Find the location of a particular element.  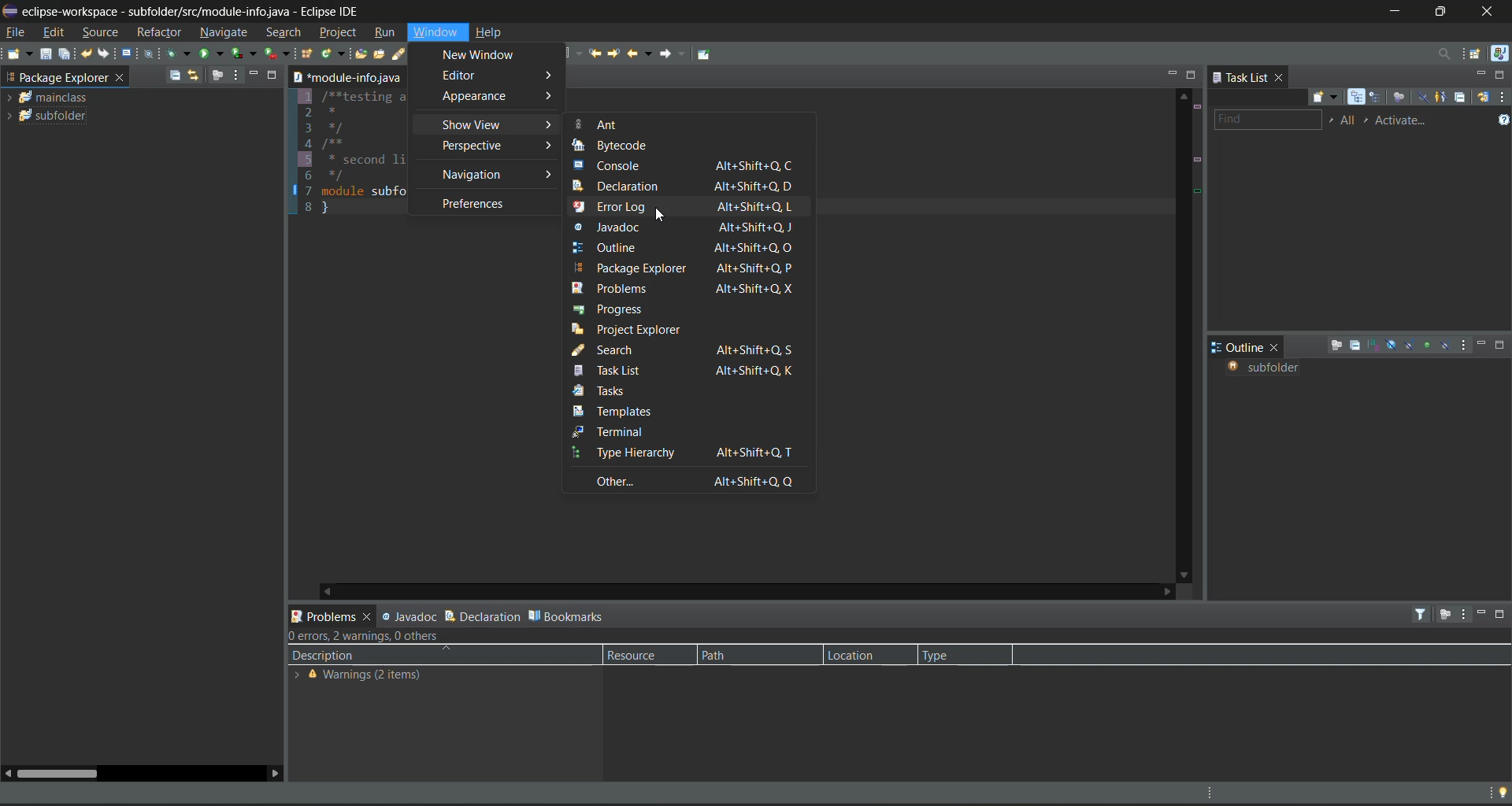

java is located at coordinates (1501, 55).